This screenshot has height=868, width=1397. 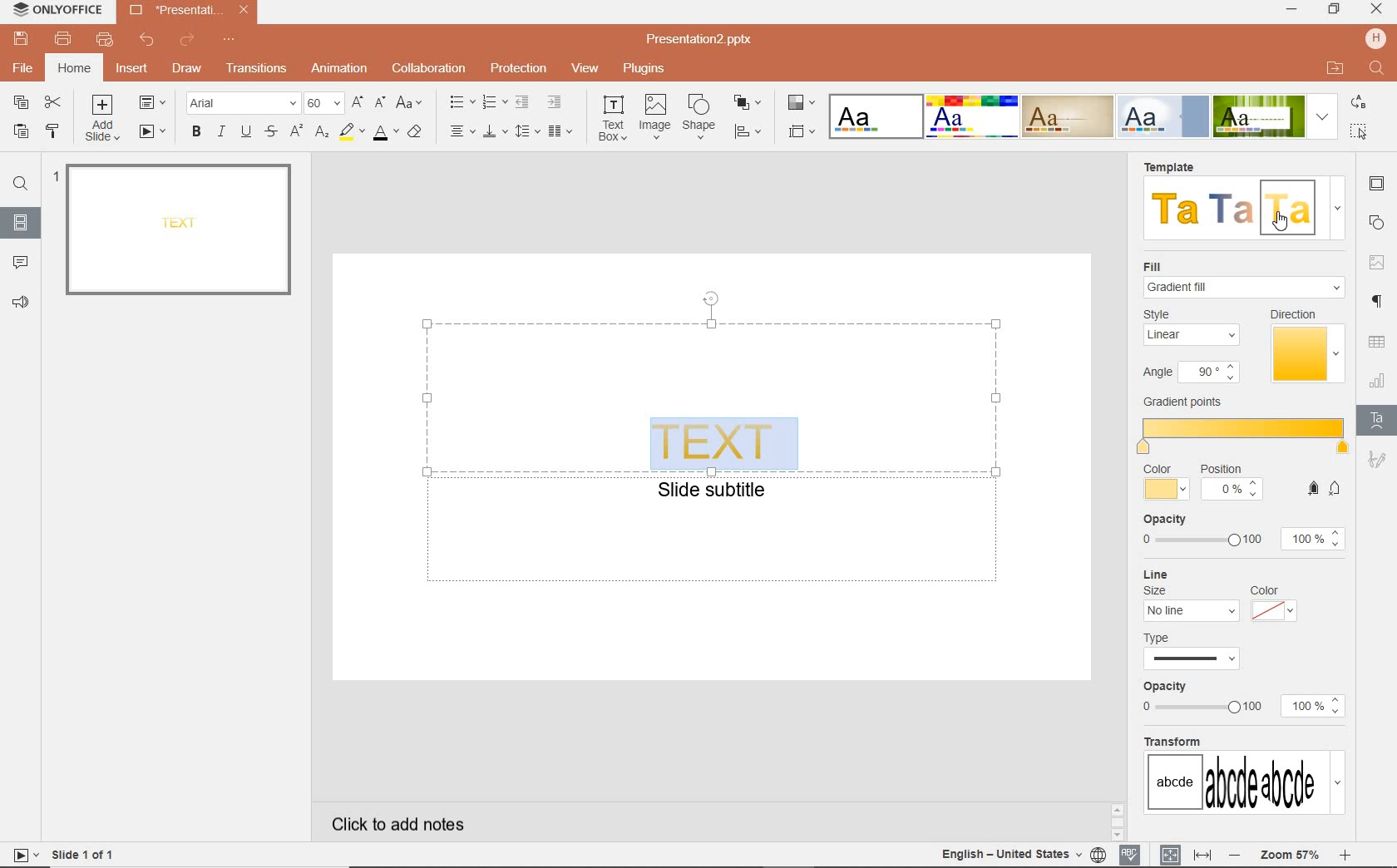 What do you see at coordinates (1335, 68) in the screenshot?
I see `open file` at bounding box center [1335, 68].